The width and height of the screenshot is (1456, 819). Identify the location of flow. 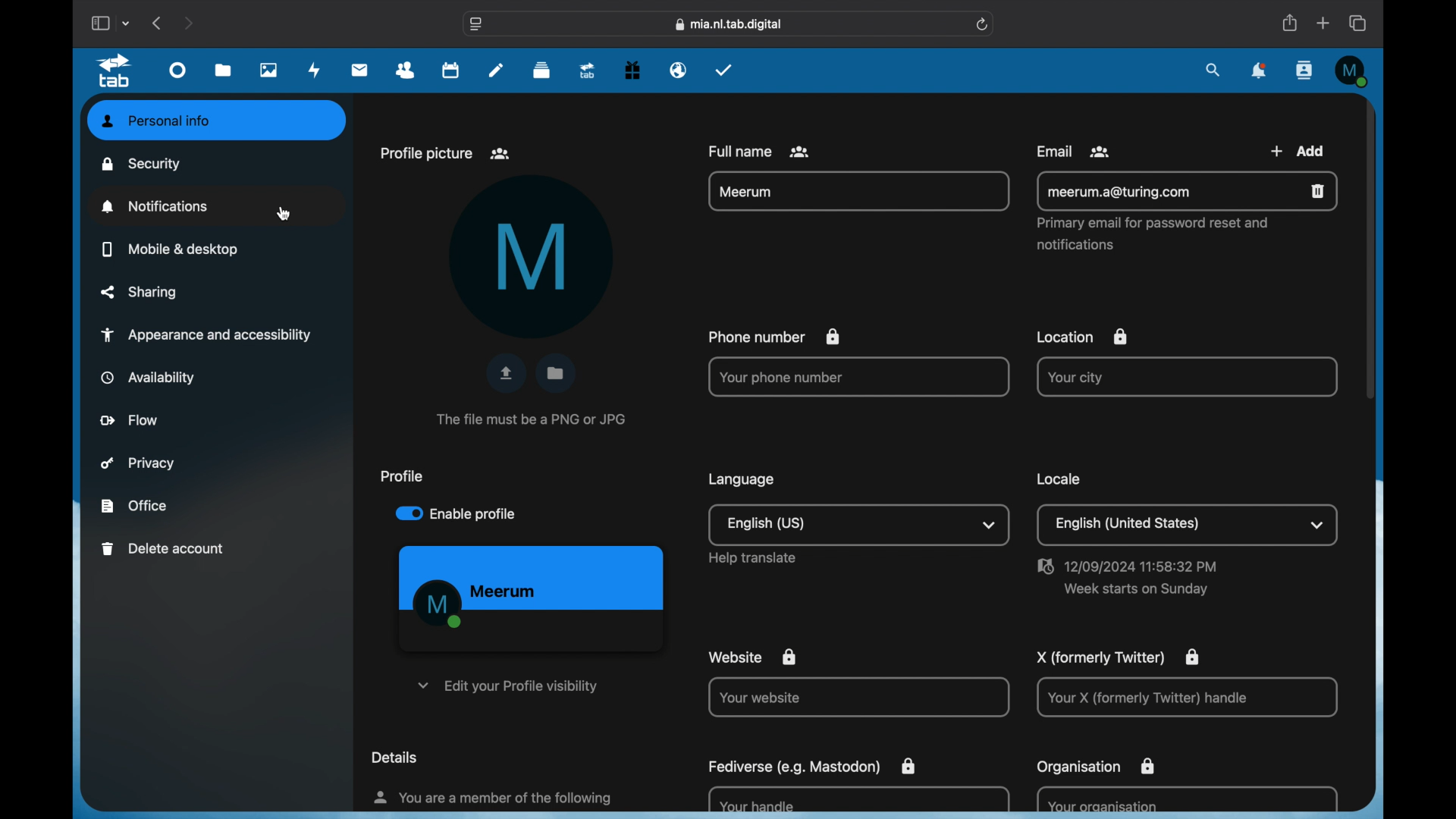
(130, 419).